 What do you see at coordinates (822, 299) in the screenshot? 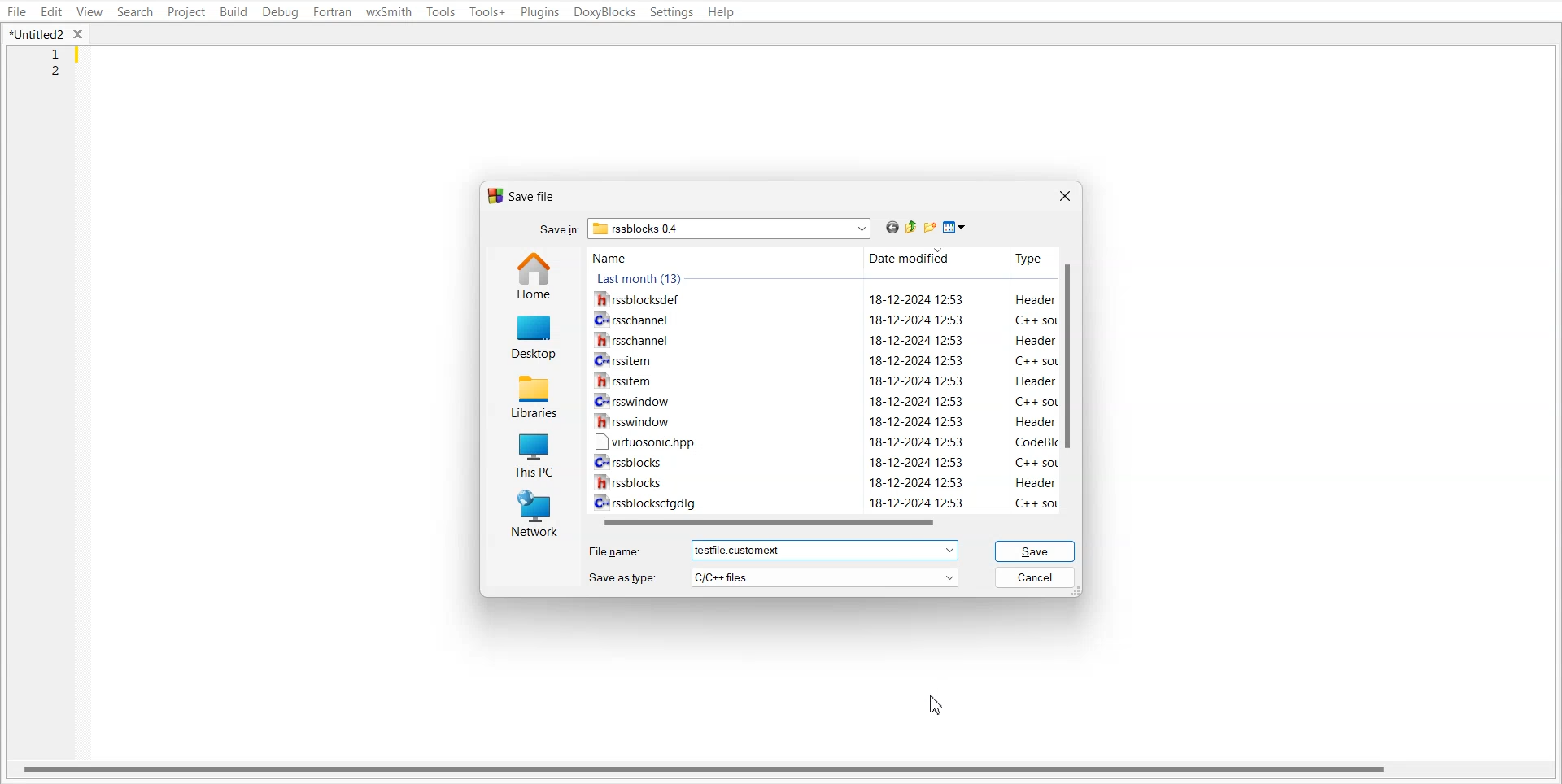
I see `rssblocksdef 18-12-2024 12:53 Header 1` at bounding box center [822, 299].